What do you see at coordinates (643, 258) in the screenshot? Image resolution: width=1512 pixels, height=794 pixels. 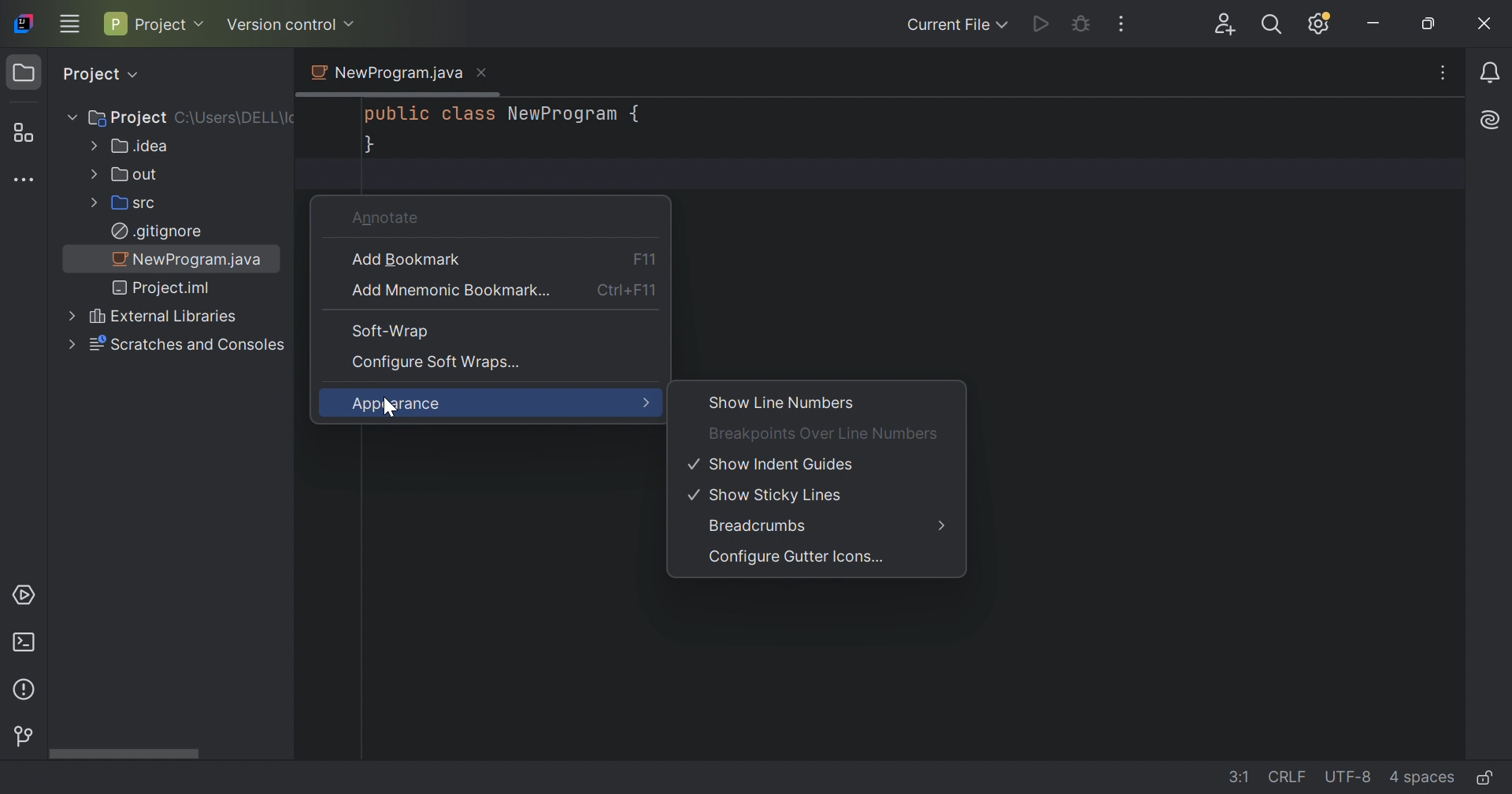 I see `F11` at bounding box center [643, 258].